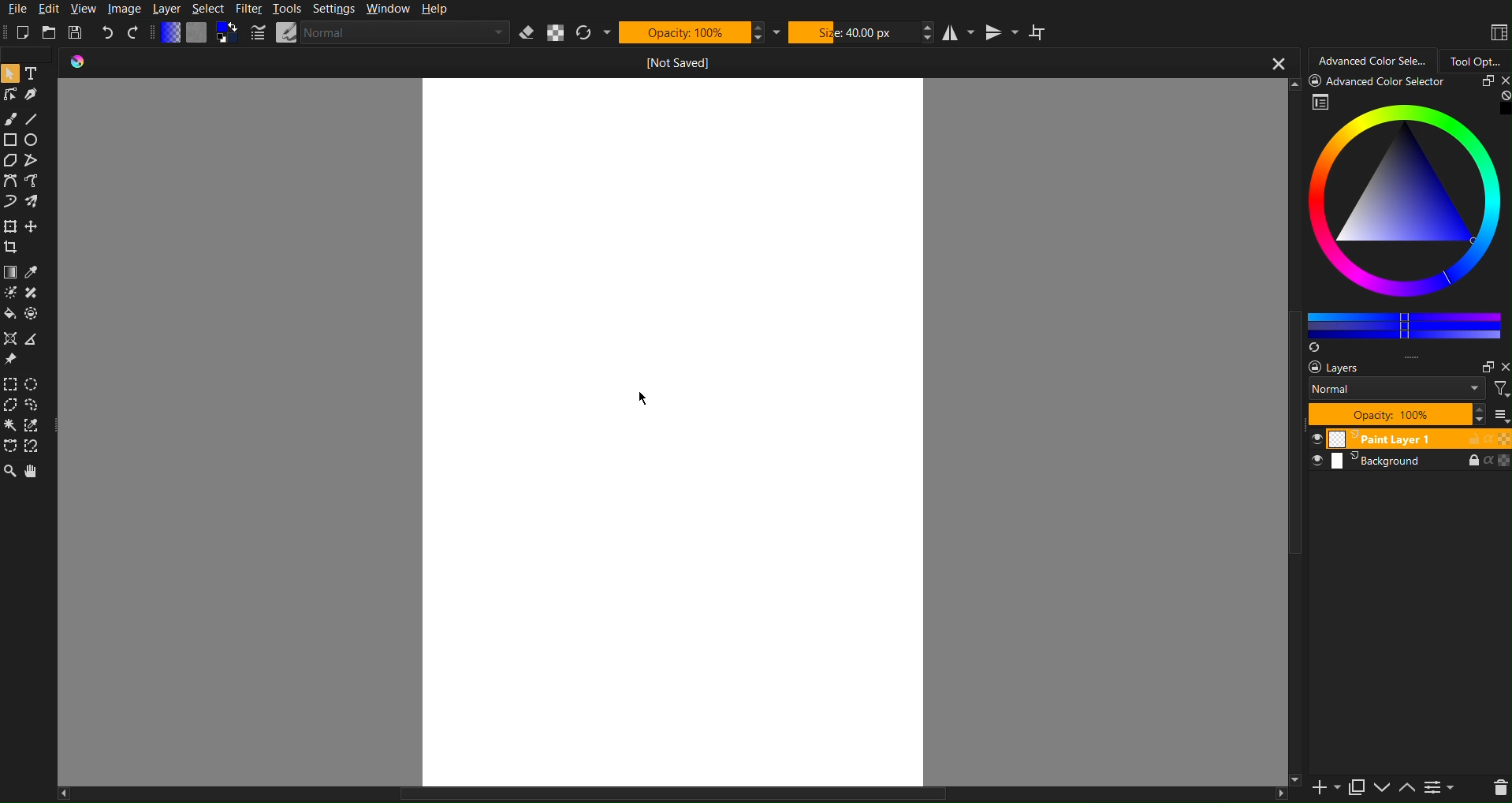 Image resolution: width=1512 pixels, height=803 pixels. What do you see at coordinates (16, 9) in the screenshot?
I see `File` at bounding box center [16, 9].